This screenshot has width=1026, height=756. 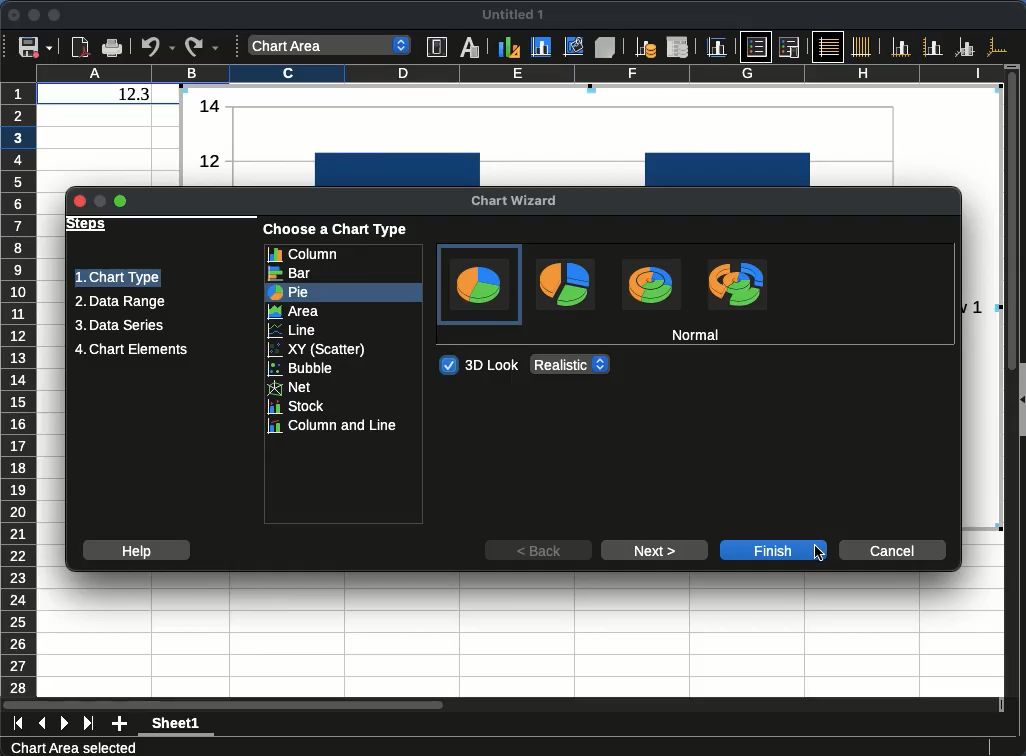 I want to click on choose a chart type, so click(x=337, y=230).